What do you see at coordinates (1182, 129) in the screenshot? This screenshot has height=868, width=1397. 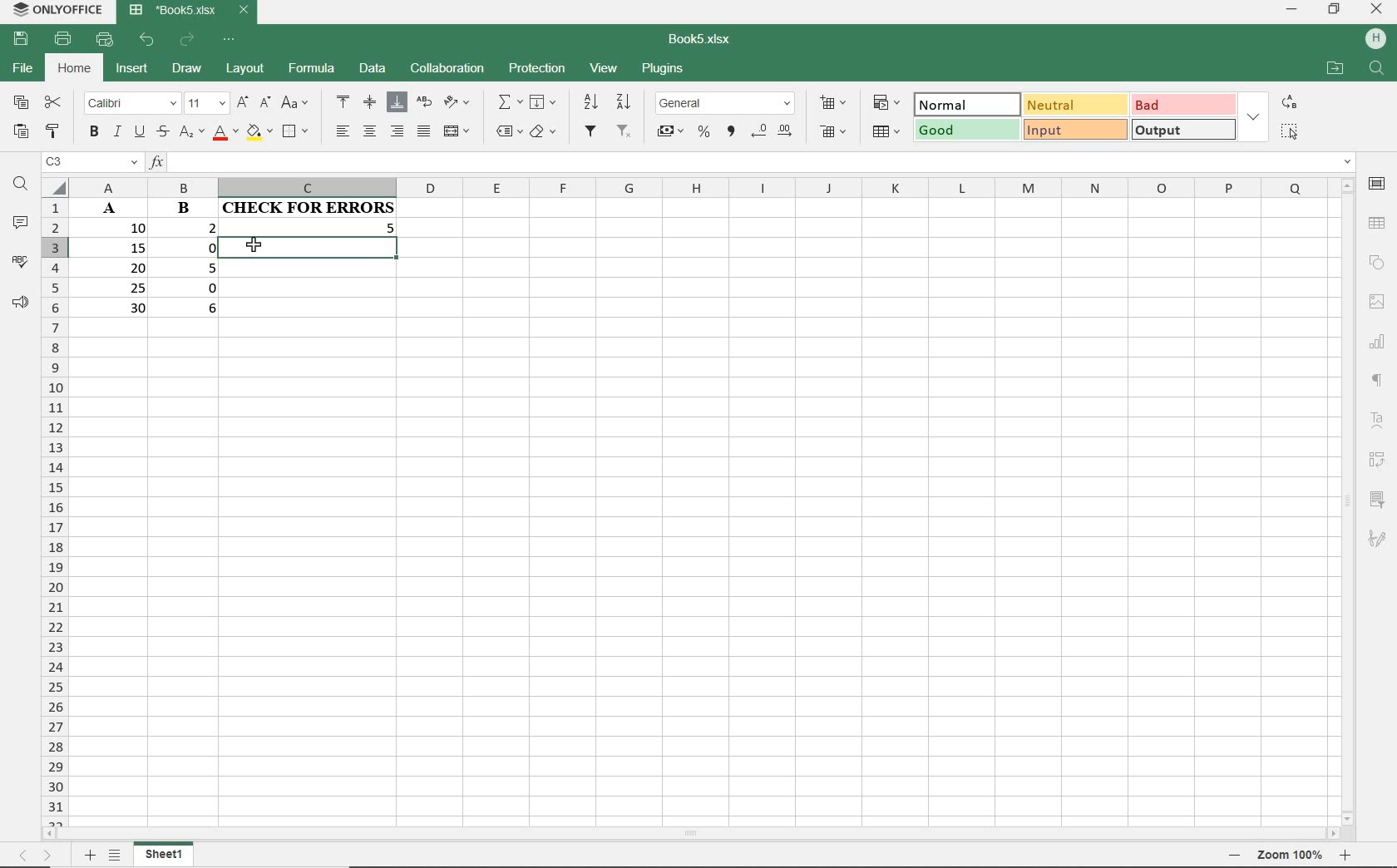 I see `OUTPUT` at bounding box center [1182, 129].